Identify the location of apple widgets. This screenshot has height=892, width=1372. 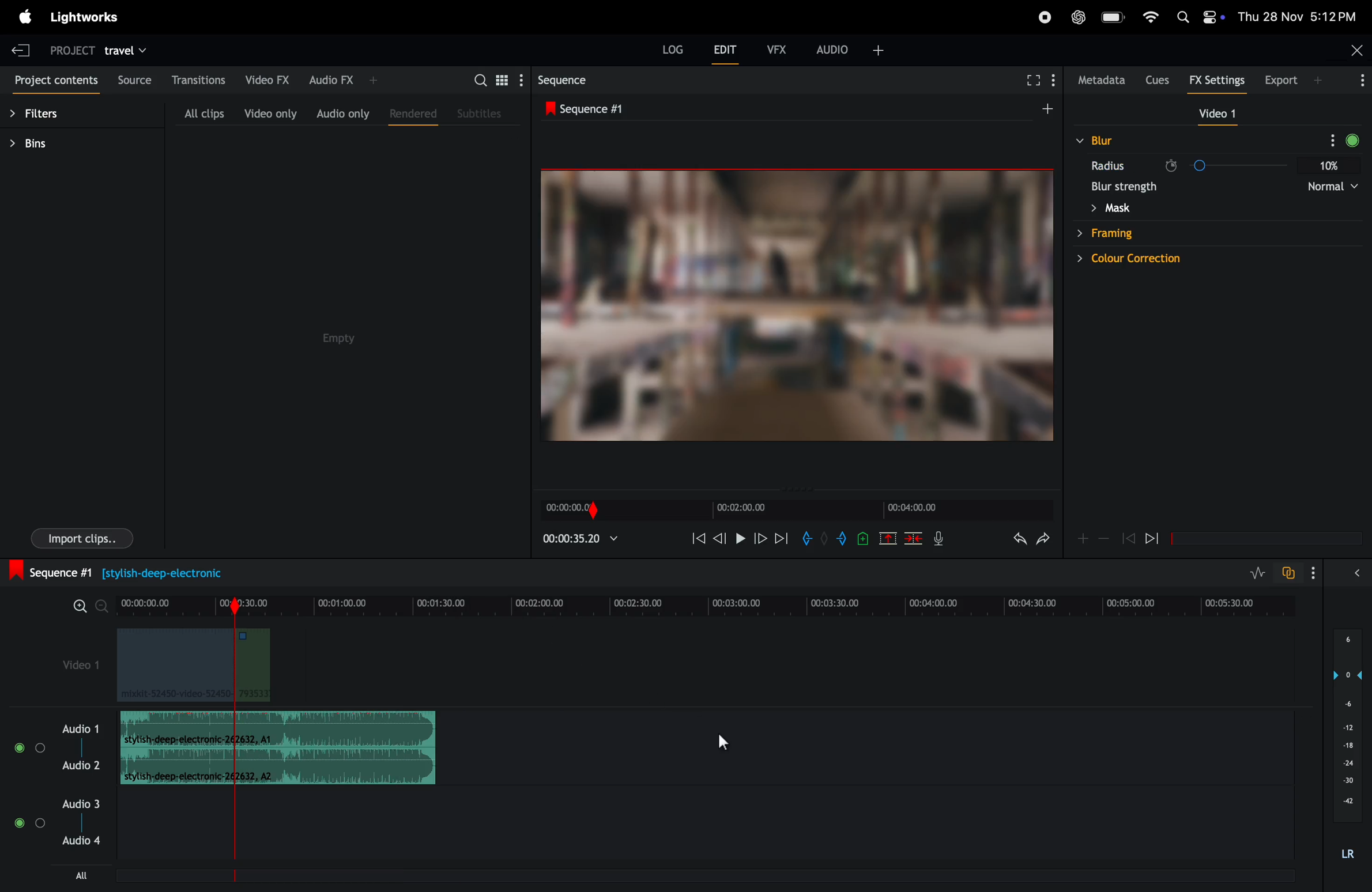
(1180, 16).